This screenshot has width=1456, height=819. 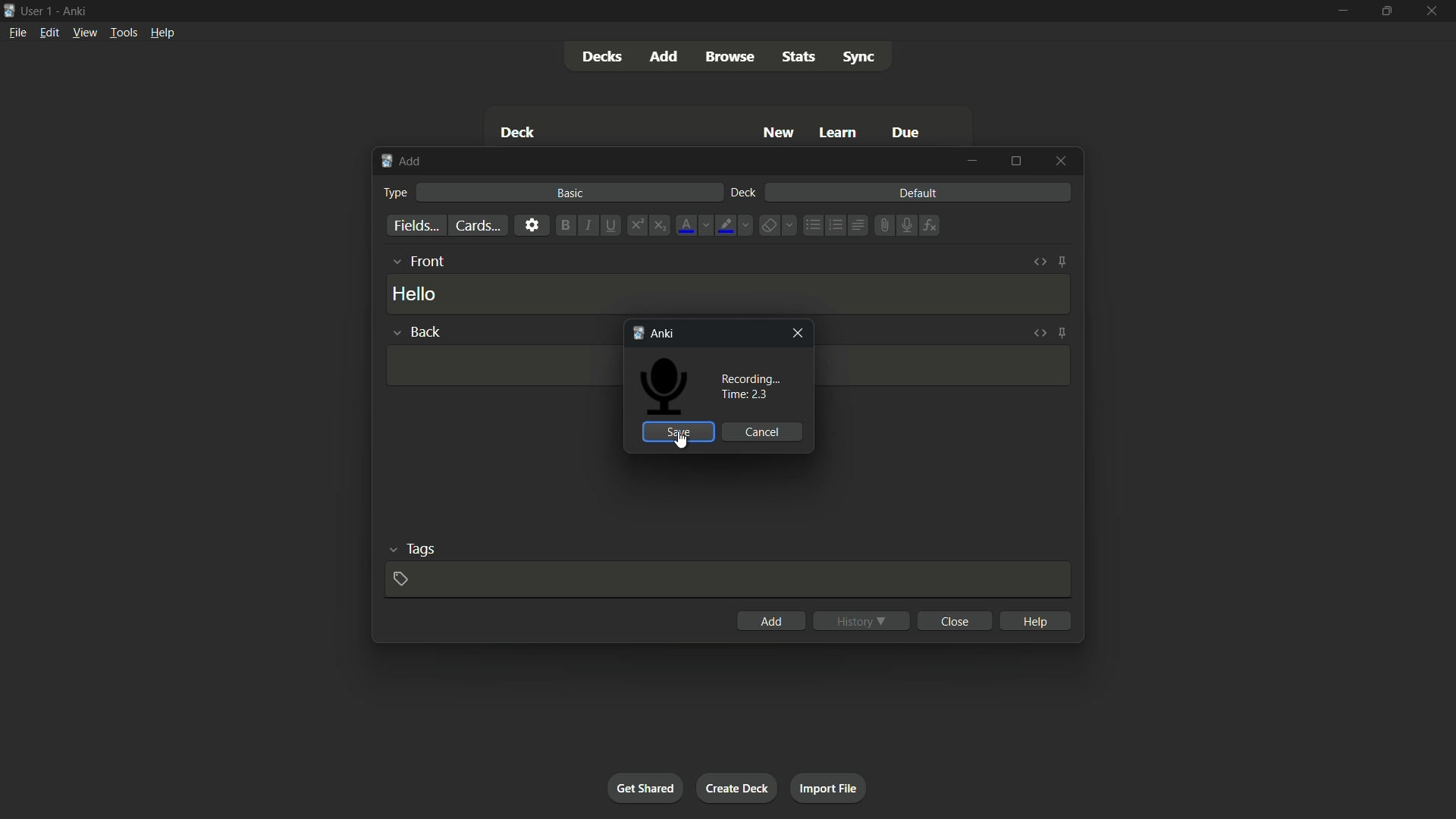 What do you see at coordinates (645, 789) in the screenshot?
I see `get shared` at bounding box center [645, 789].